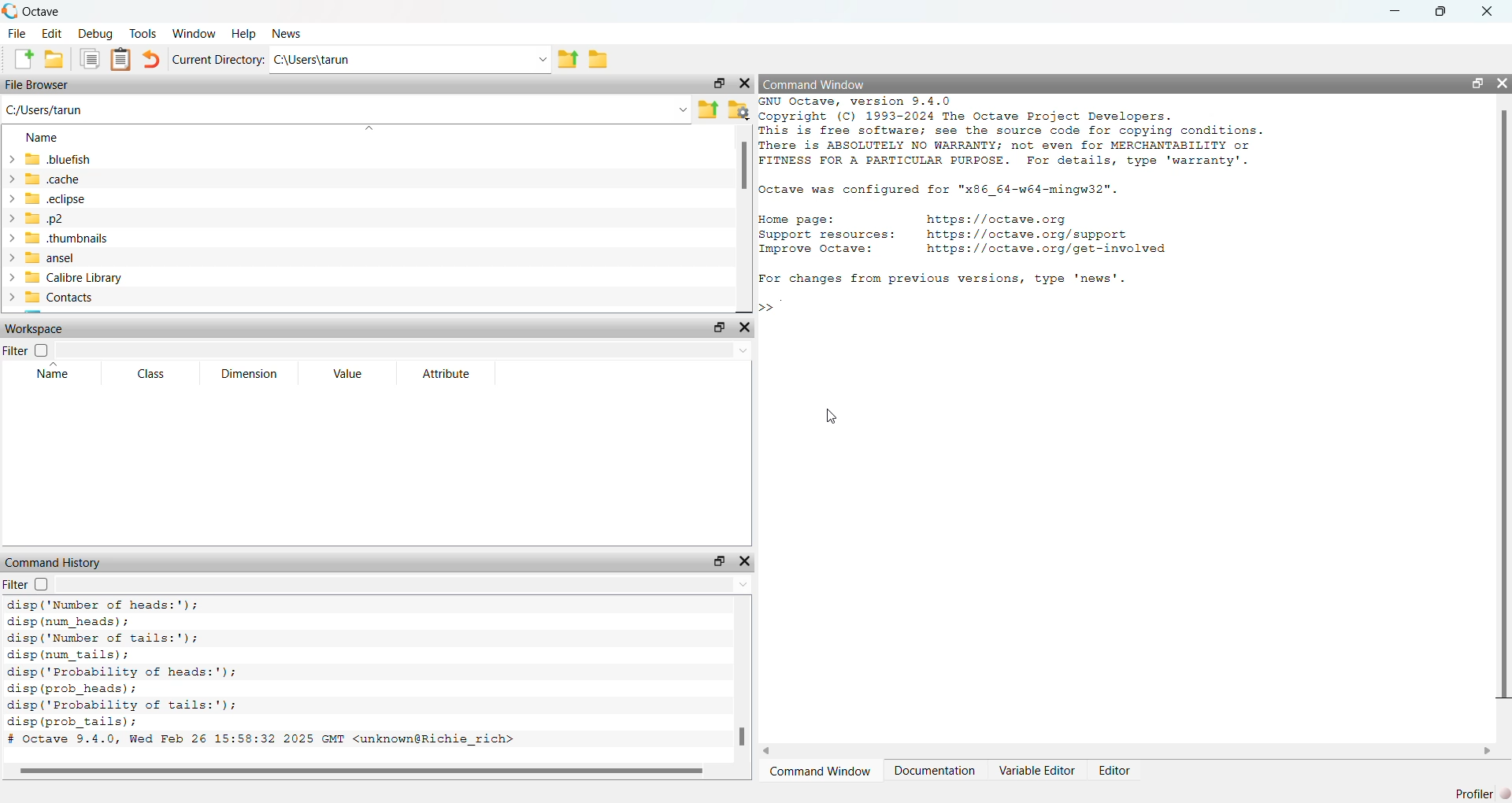 The height and width of the screenshot is (803, 1512). I want to click on Workspace, so click(35, 329).